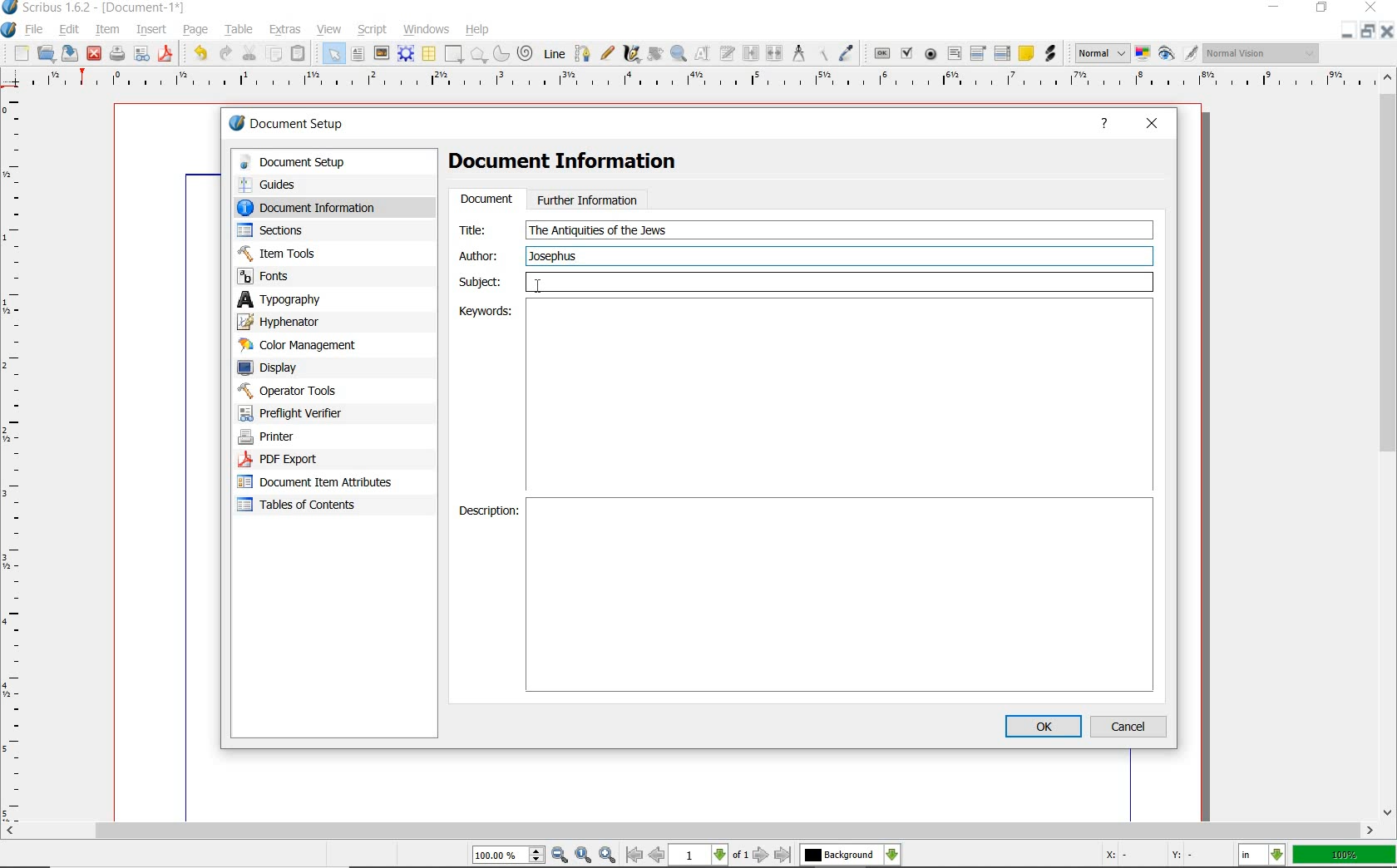 This screenshot has width=1397, height=868. I want to click on save, so click(72, 53).